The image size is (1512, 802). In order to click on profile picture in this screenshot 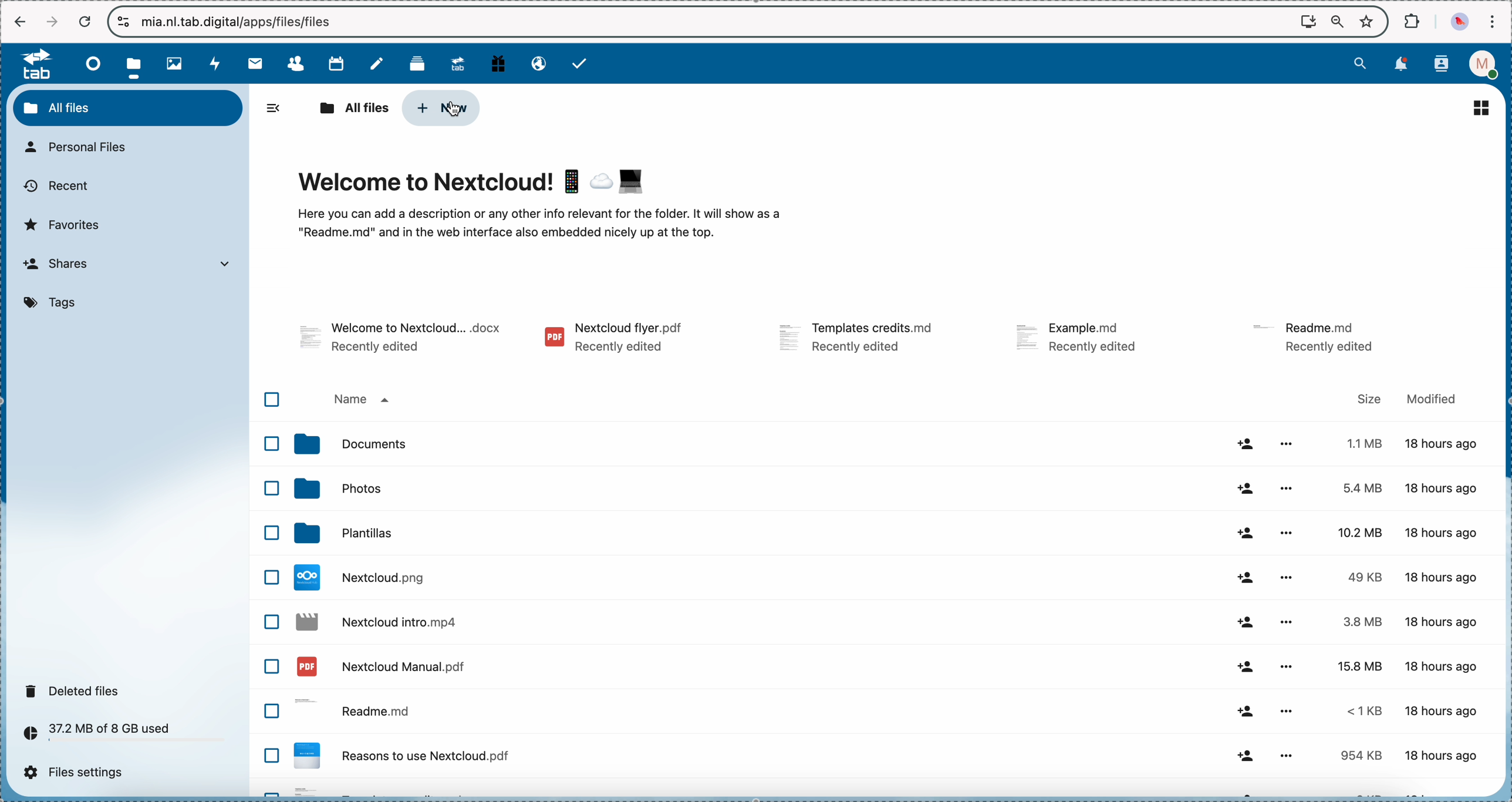, I will do `click(1462, 22)`.